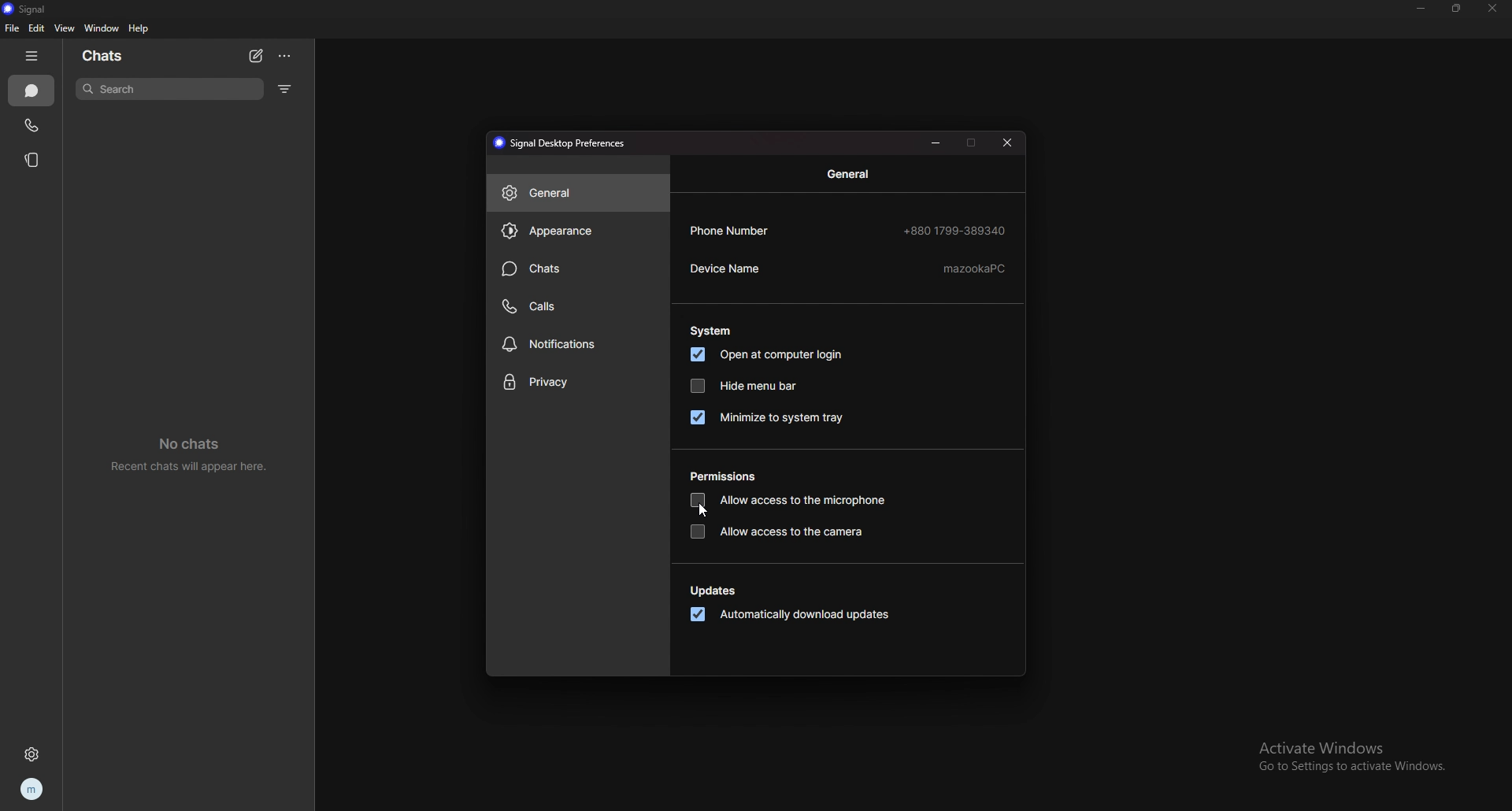 The height and width of the screenshot is (811, 1512). Describe the element at coordinates (287, 56) in the screenshot. I see `options` at that location.